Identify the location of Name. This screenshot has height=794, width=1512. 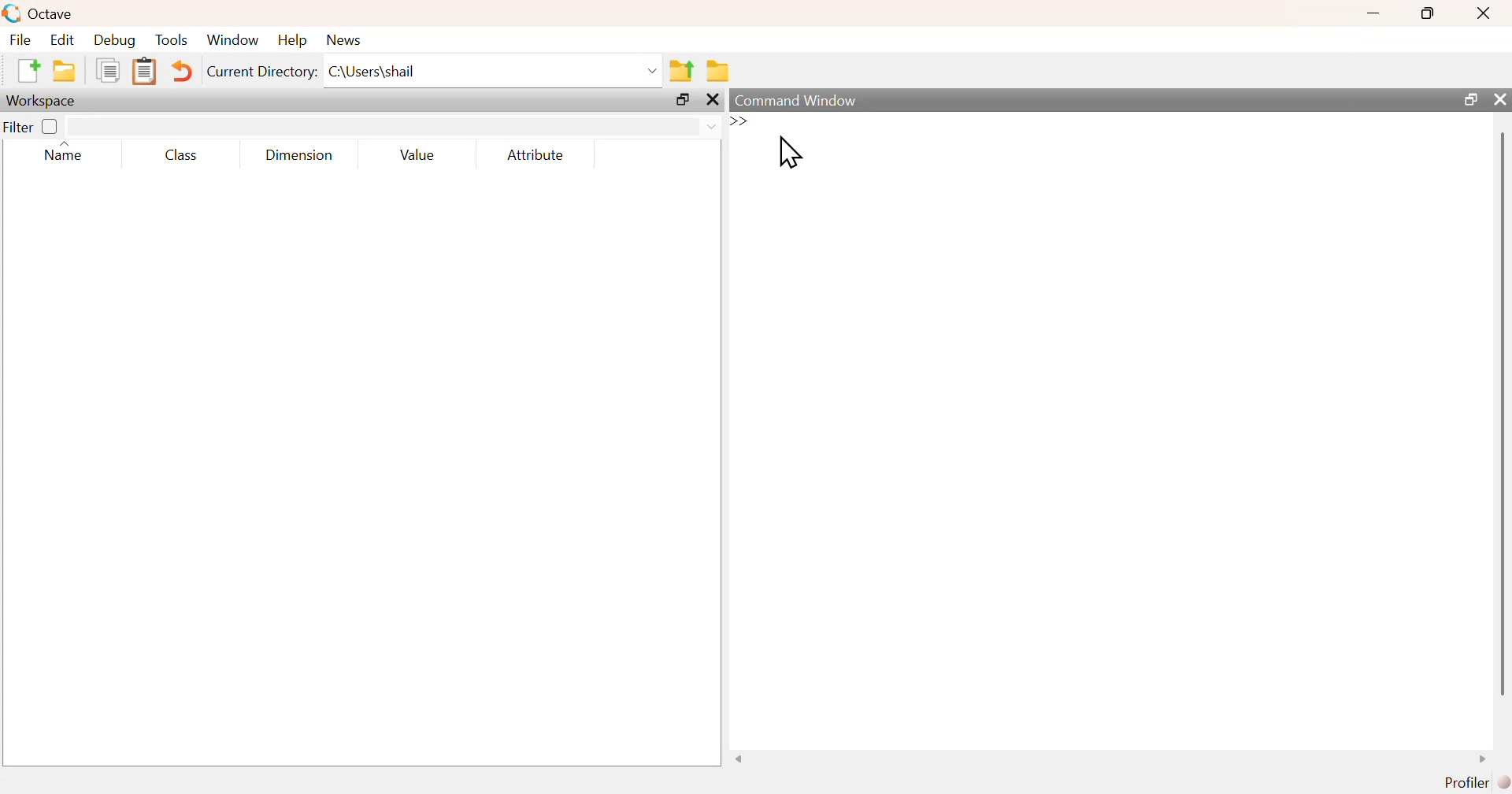
(68, 152).